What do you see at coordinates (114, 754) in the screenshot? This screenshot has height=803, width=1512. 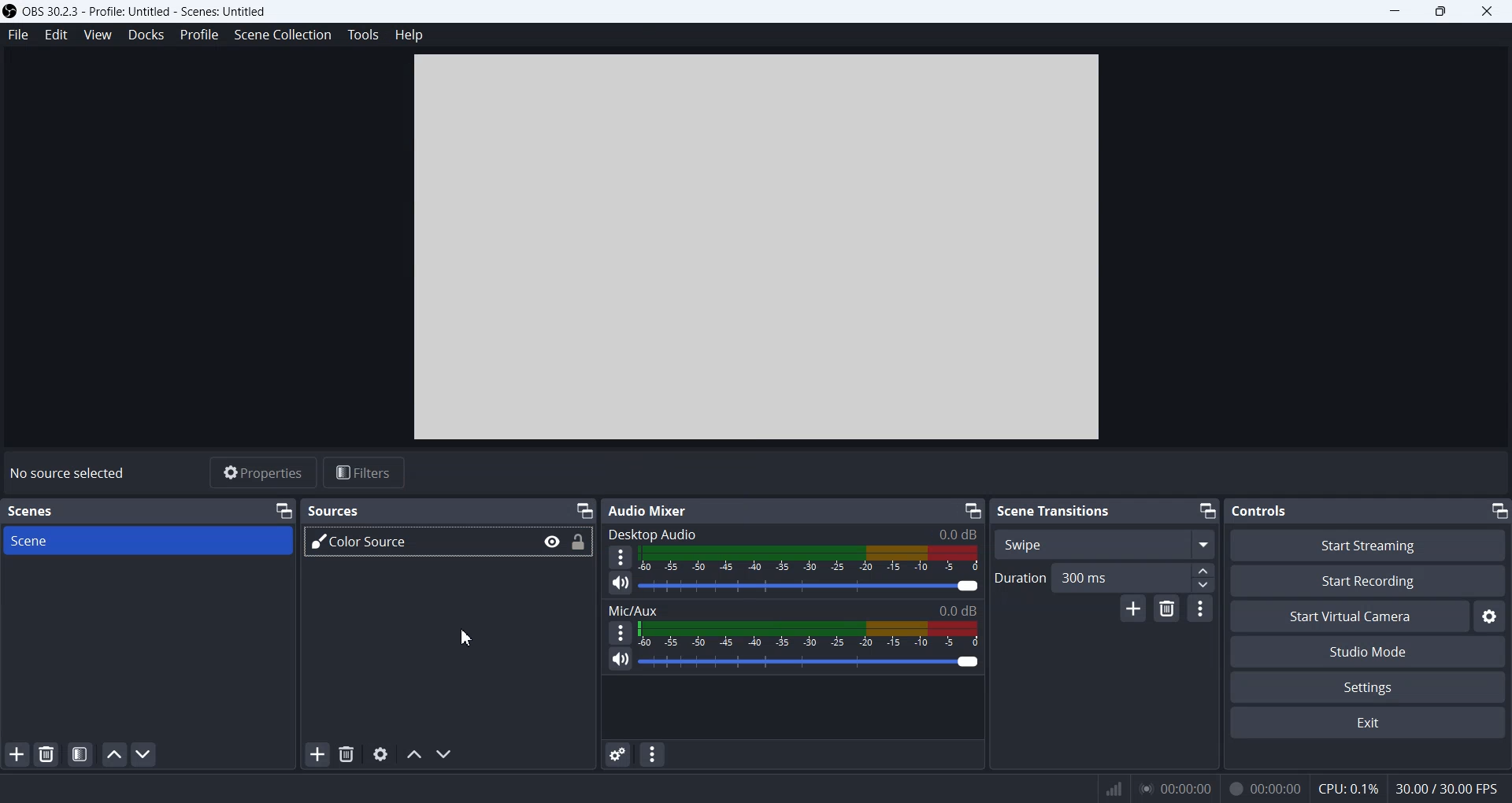 I see `Move Scene UP` at bounding box center [114, 754].